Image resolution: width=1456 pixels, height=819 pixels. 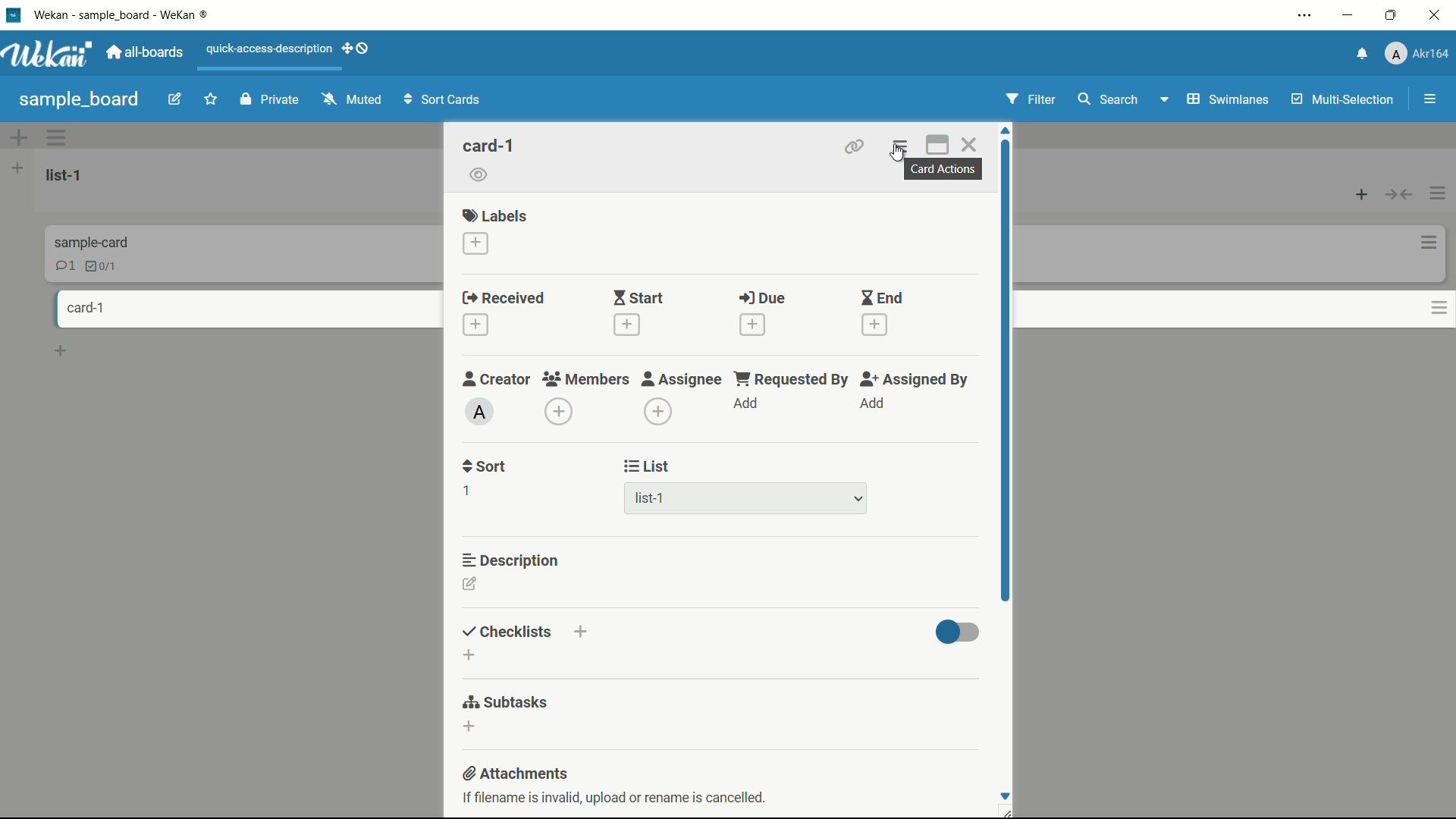 What do you see at coordinates (752, 325) in the screenshot?
I see `add date` at bounding box center [752, 325].